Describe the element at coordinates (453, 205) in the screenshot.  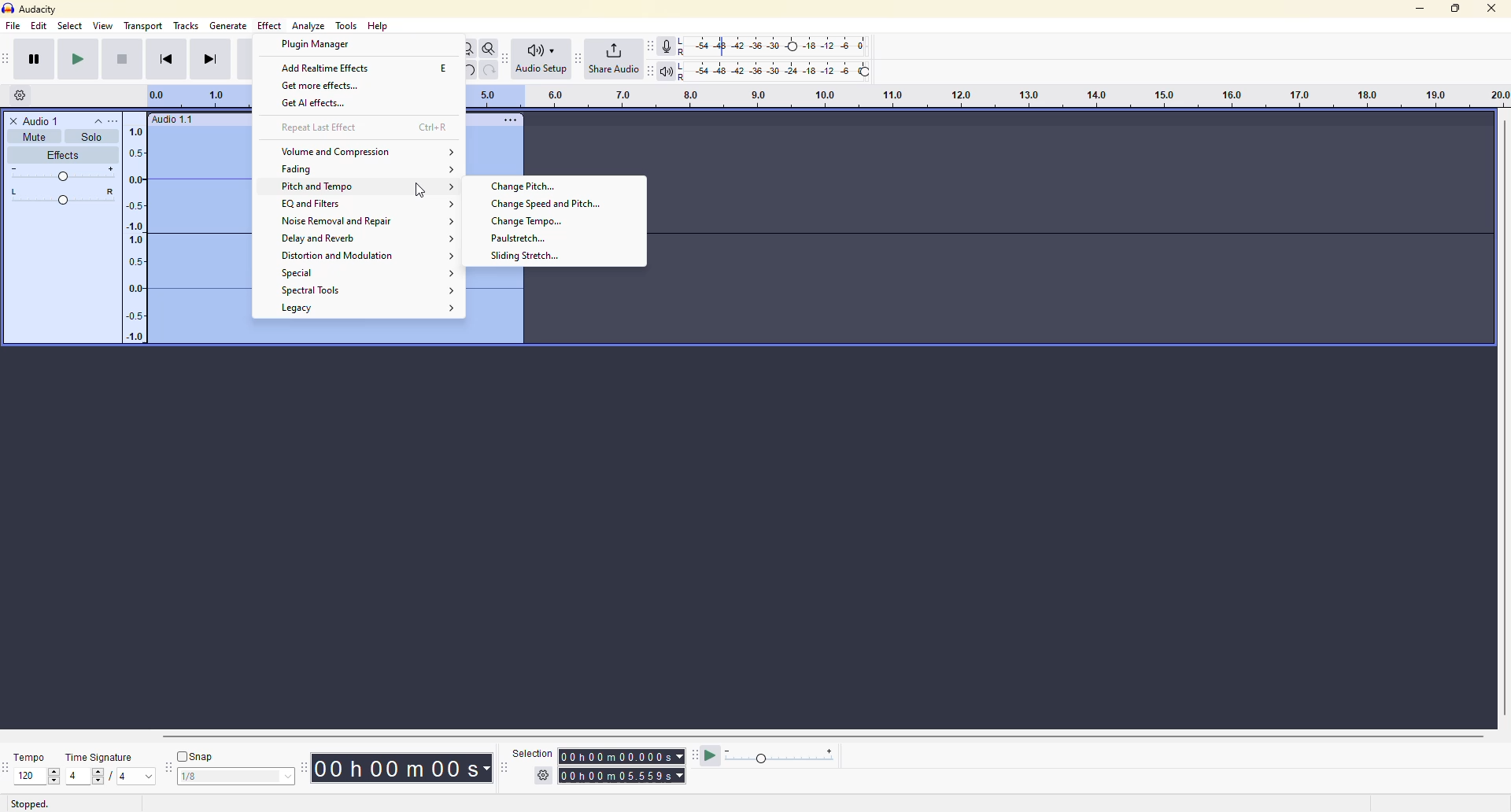
I see `expand` at that location.